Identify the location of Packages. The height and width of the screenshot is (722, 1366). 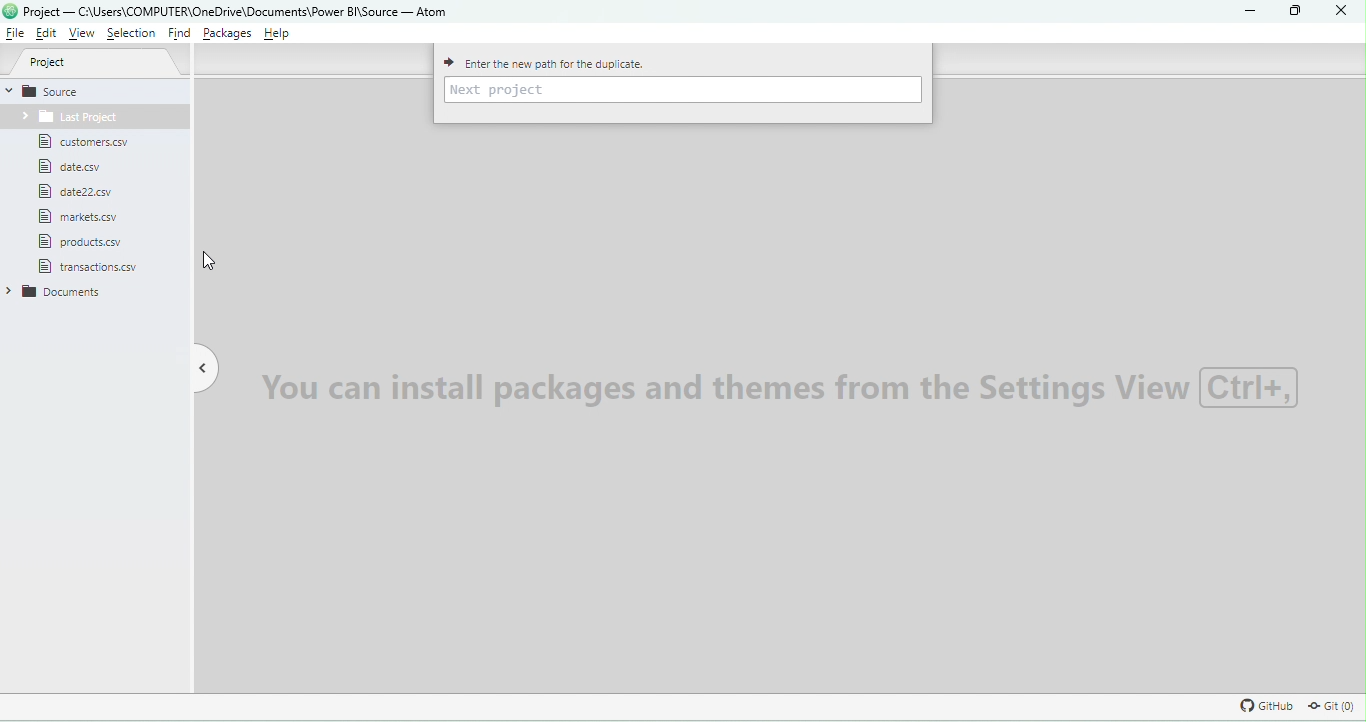
(228, 34).